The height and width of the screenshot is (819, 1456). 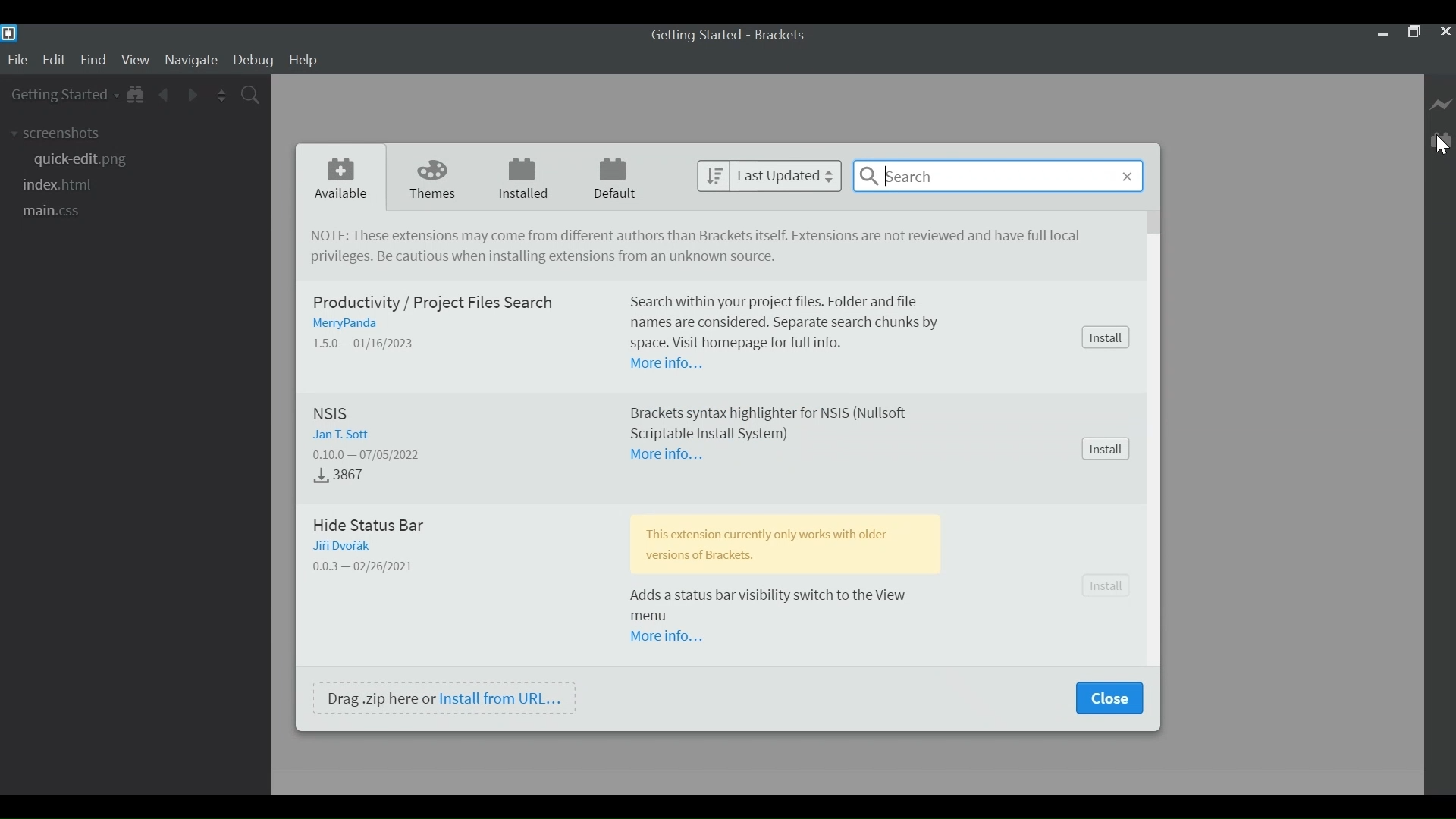 I want to click on Be cautious when installing extensions from unknown source, so click(x=547, y=259).